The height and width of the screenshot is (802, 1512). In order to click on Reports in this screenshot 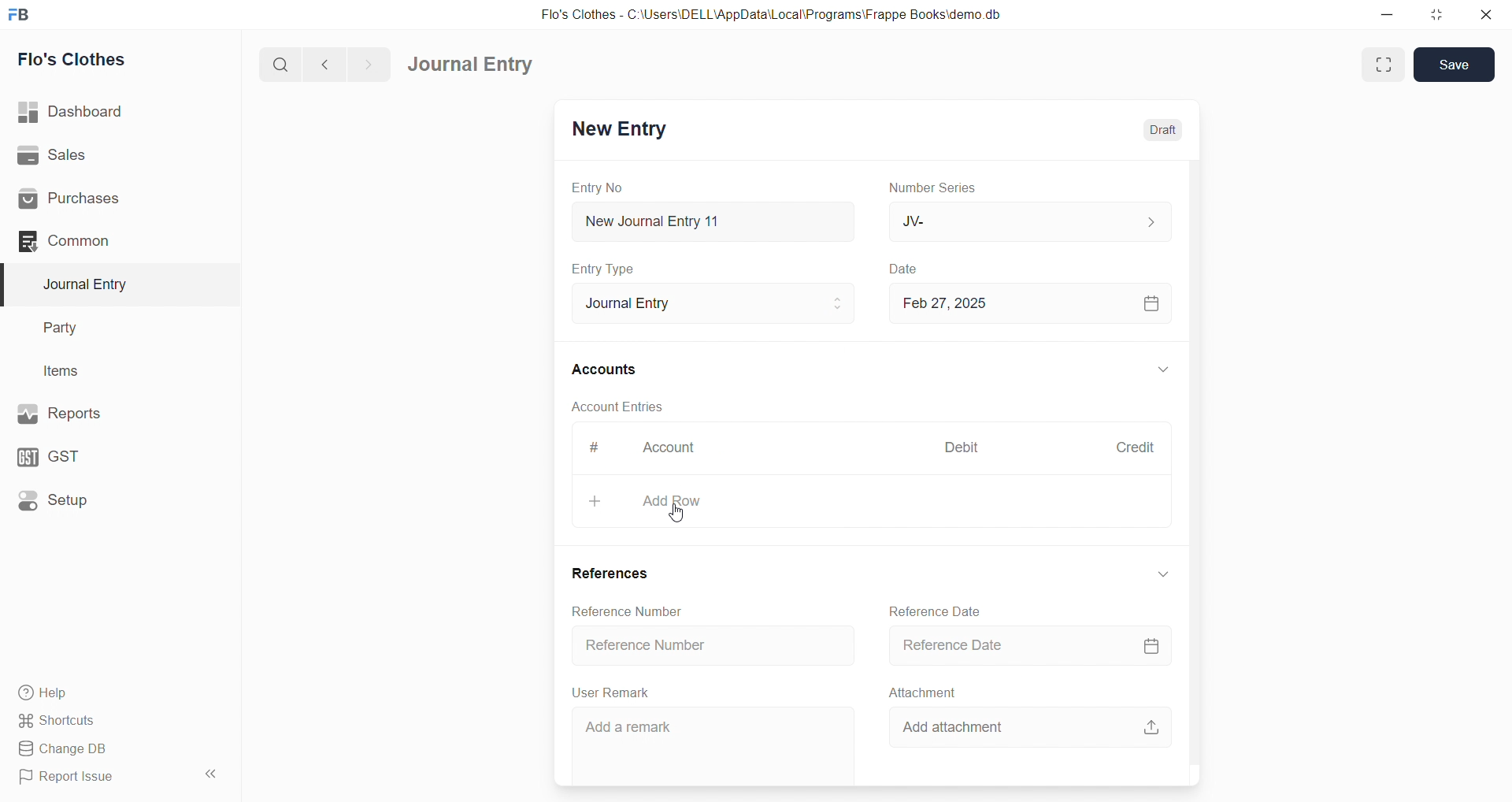, I will do `click(93, 414)`.